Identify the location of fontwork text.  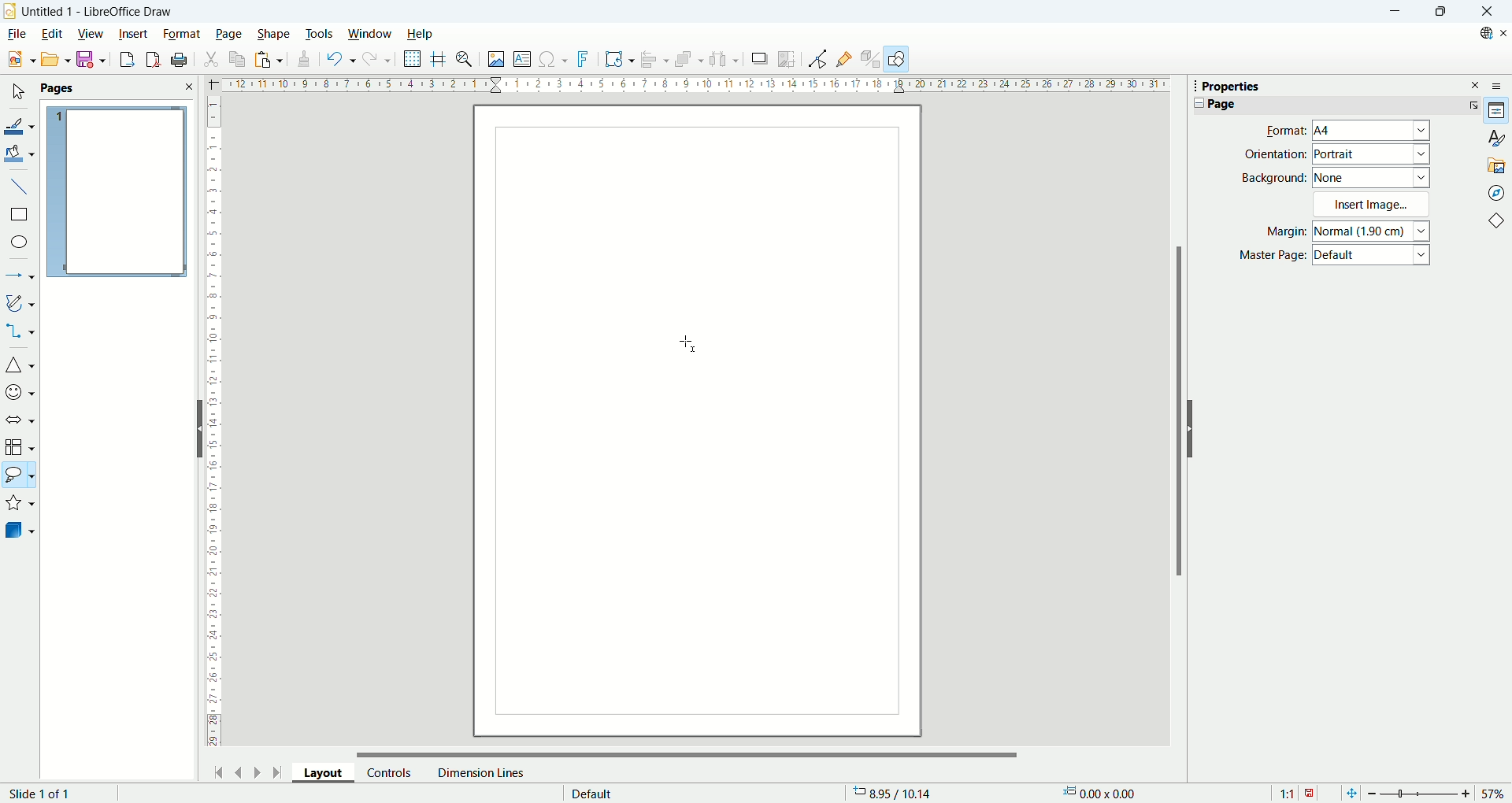
(619, 60).